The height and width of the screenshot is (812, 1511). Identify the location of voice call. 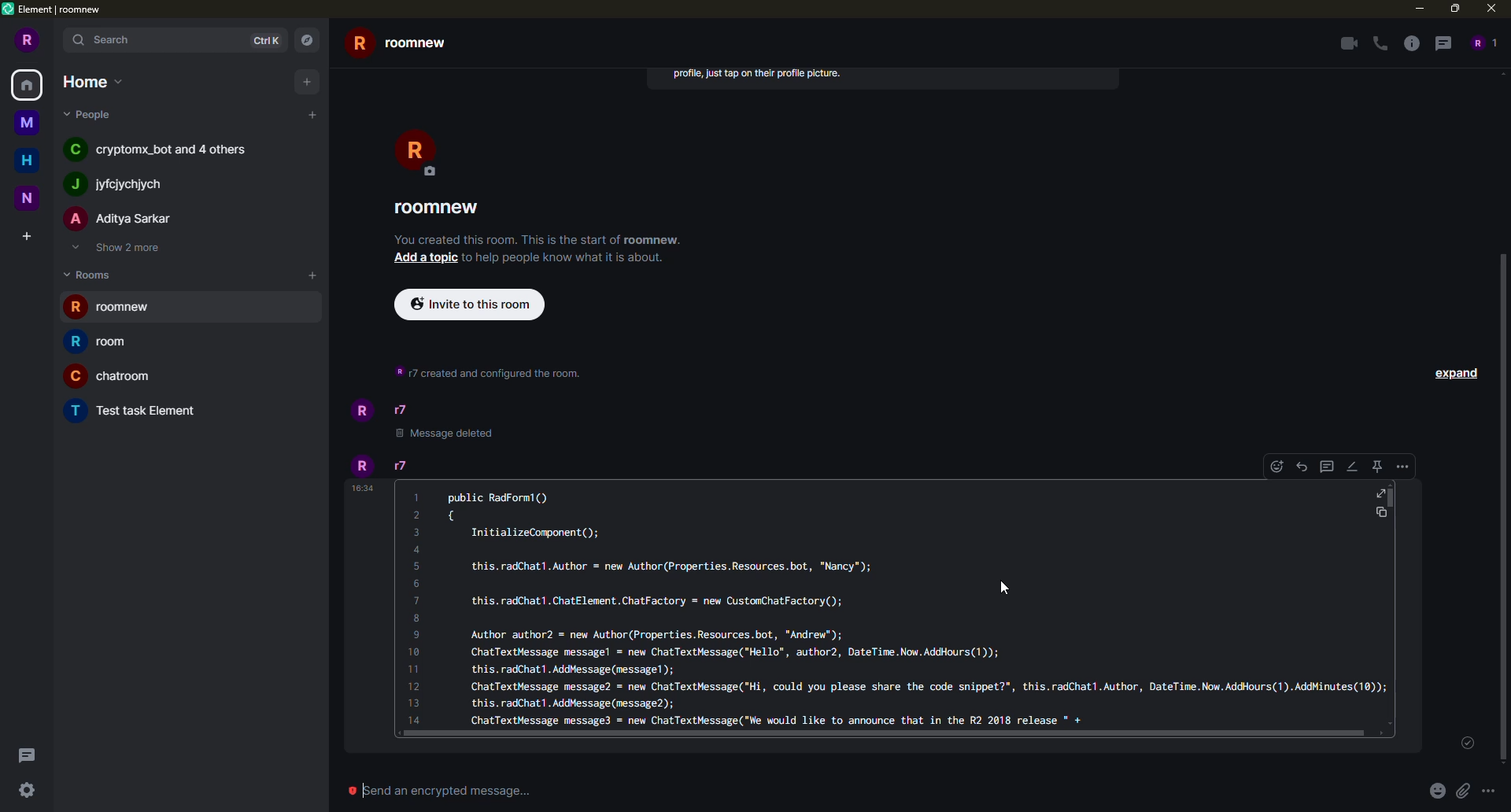
(1377, 44).